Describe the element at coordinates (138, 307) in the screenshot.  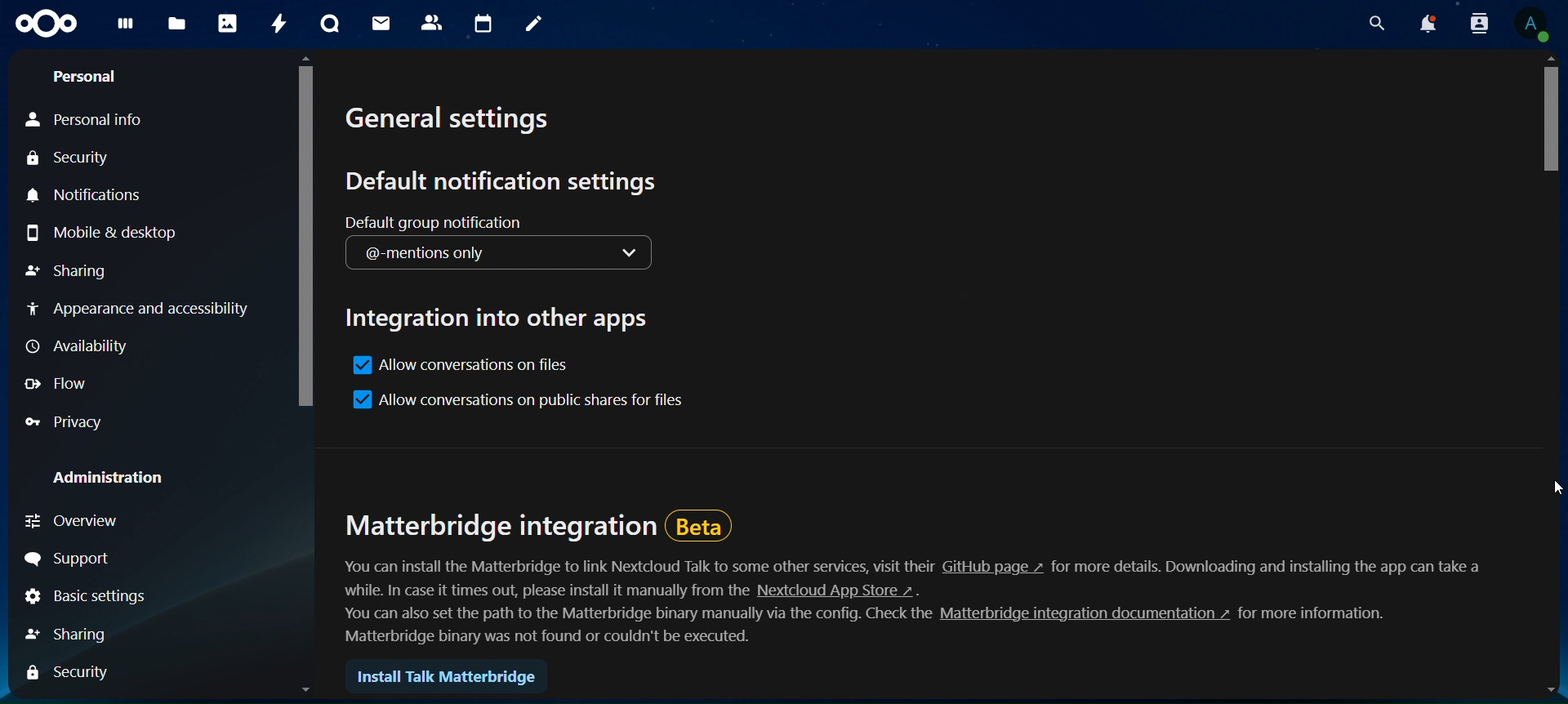
I see `appearance and accessibility` at that location.